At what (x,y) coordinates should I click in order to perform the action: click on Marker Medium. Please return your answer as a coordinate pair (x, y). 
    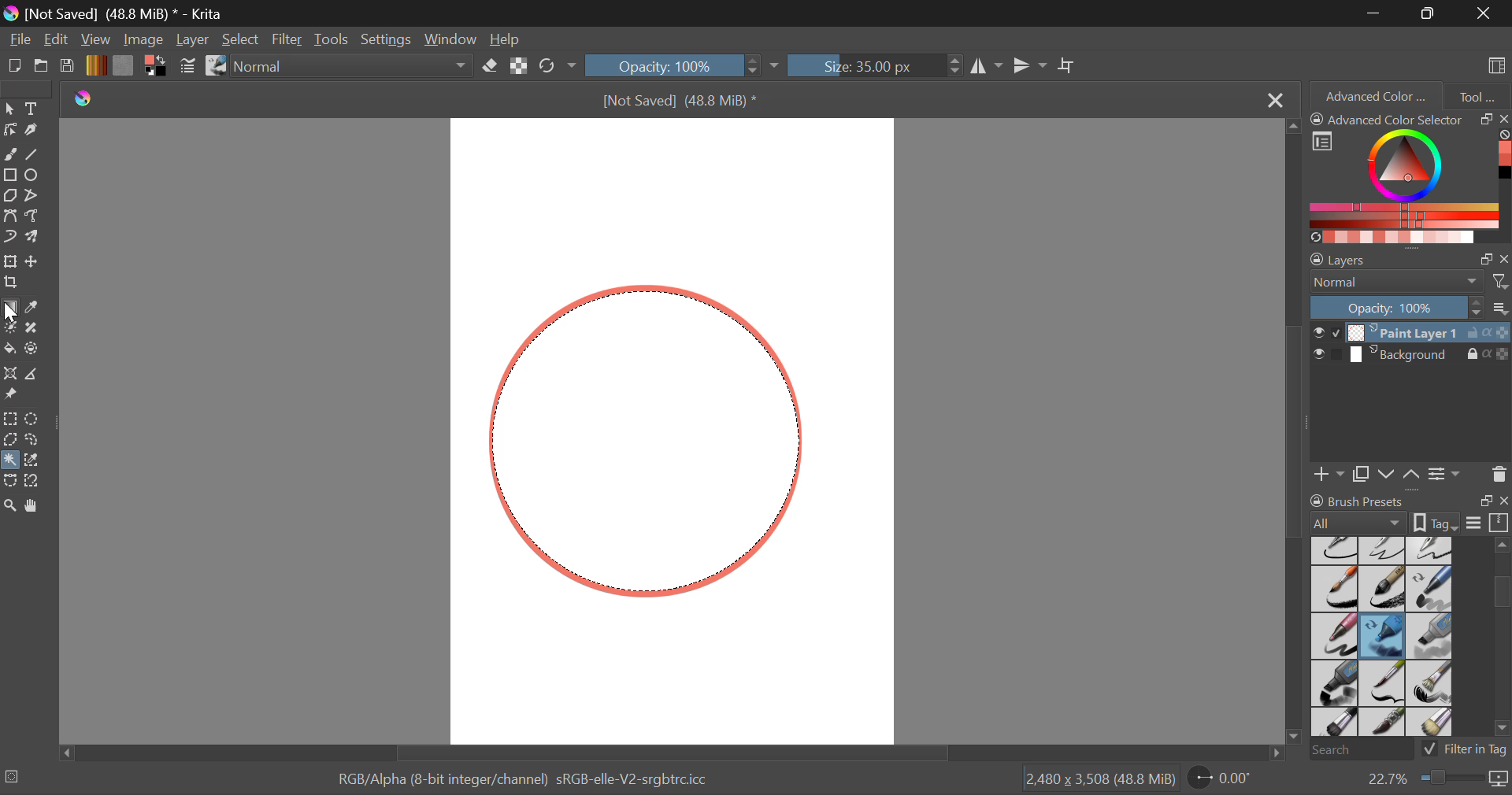
    Looking at the image, I should click on (1431, 636).